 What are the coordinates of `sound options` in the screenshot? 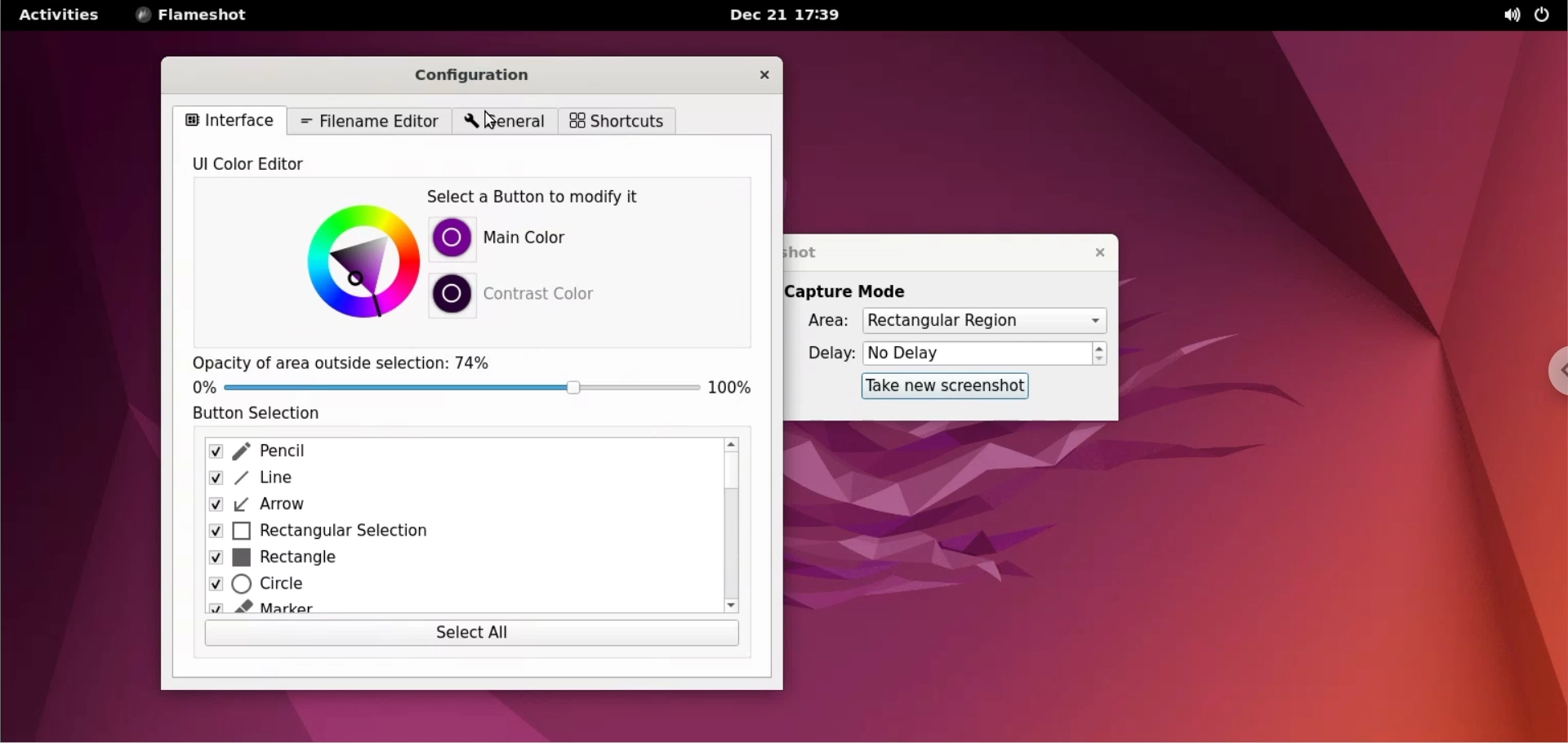 It's located at (1505, 15).